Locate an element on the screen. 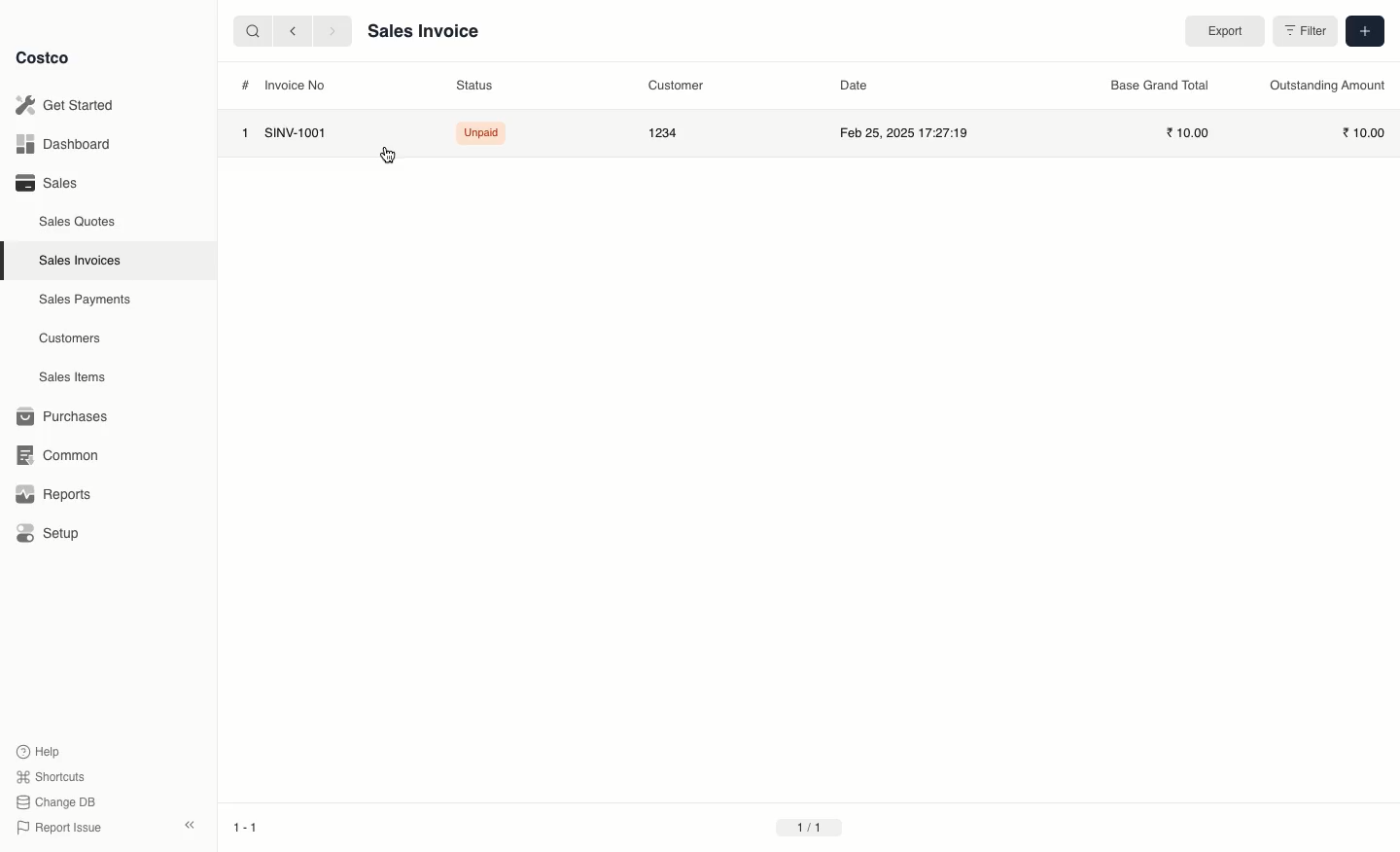 This screenshot has width=1400, height=852. Export is located at coordinates (1220, 30).